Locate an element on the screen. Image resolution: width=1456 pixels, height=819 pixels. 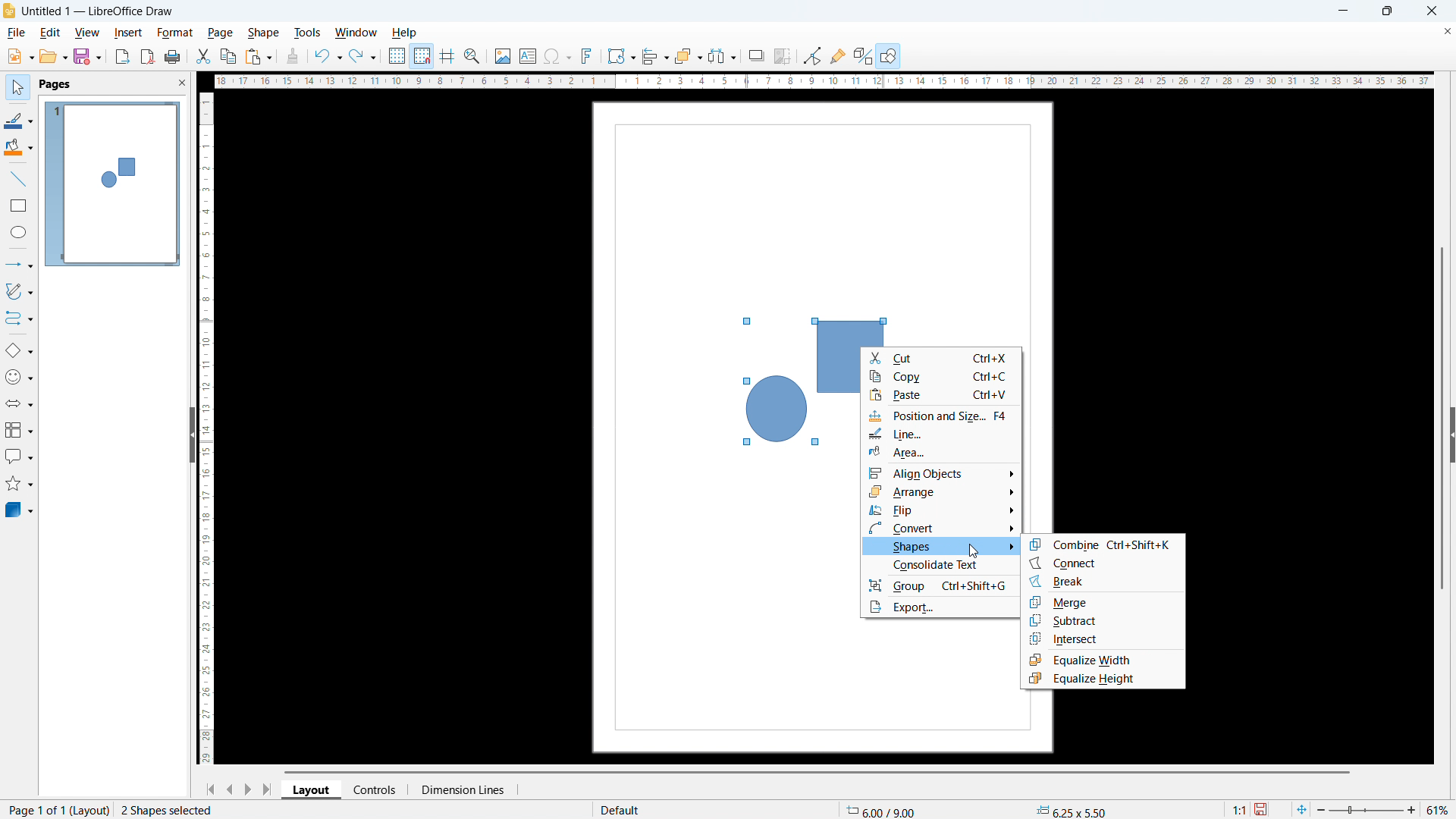
export is located at coordinates (941, 607).